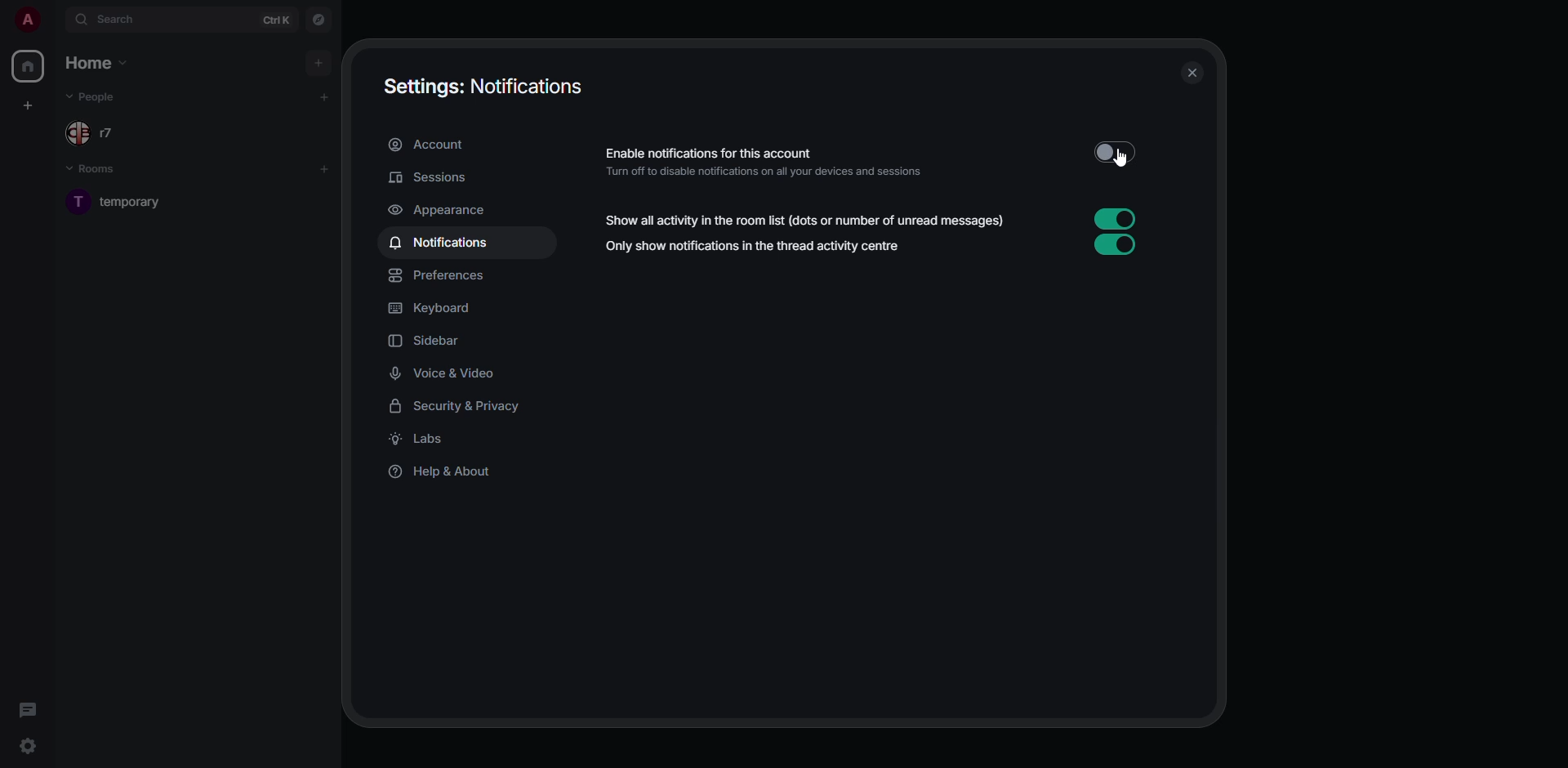 Image resolution: width=1568 pixels, height=768 pixels. What do you see at coordinates (275, 19) in the screenshot?
I see `ctrl K` at bounding box center [275, 19].